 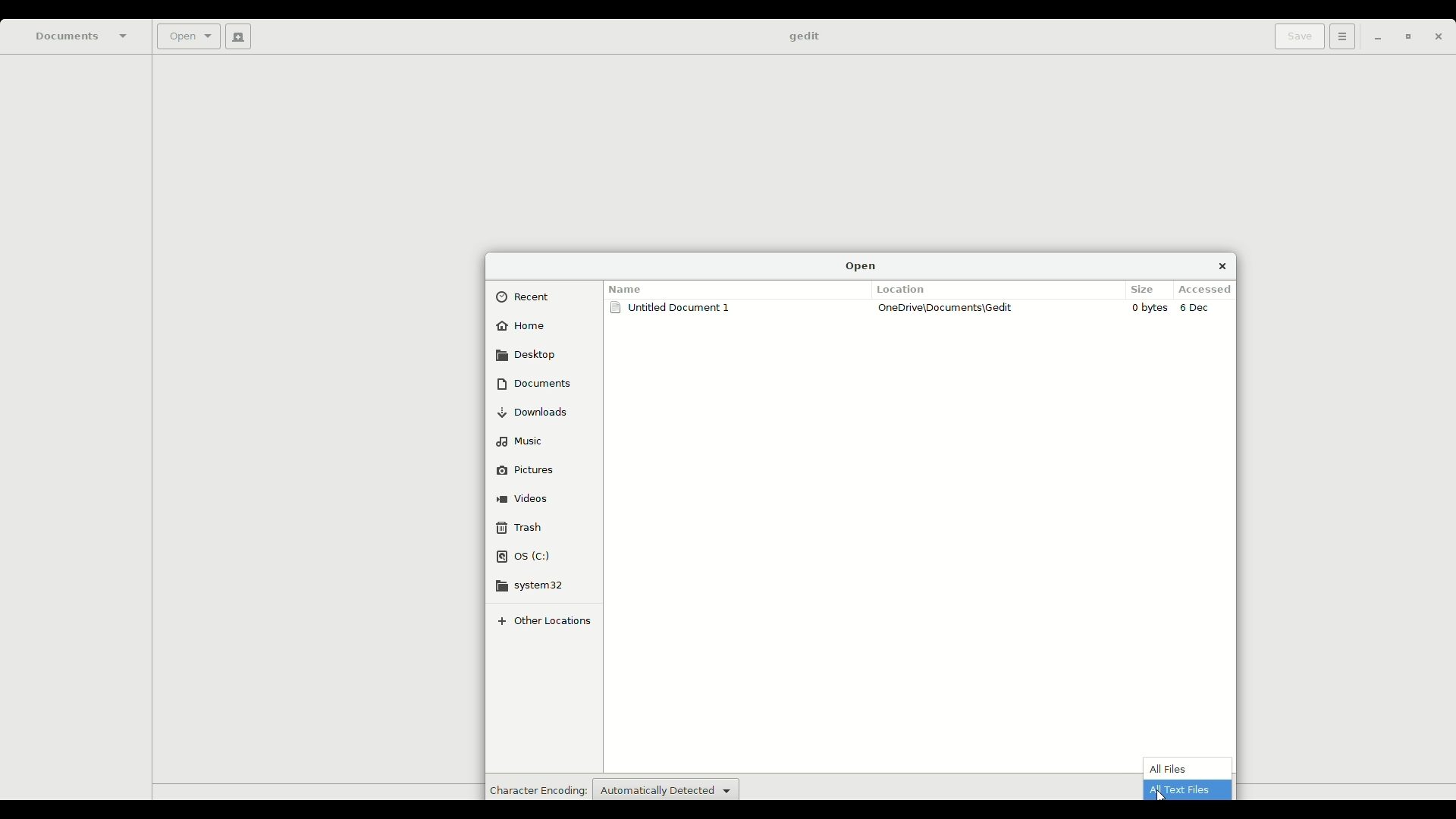 What do you see at coordinates (528, 354) in the screenshot?
I see `Desktop` at bounding box center [528, 354].